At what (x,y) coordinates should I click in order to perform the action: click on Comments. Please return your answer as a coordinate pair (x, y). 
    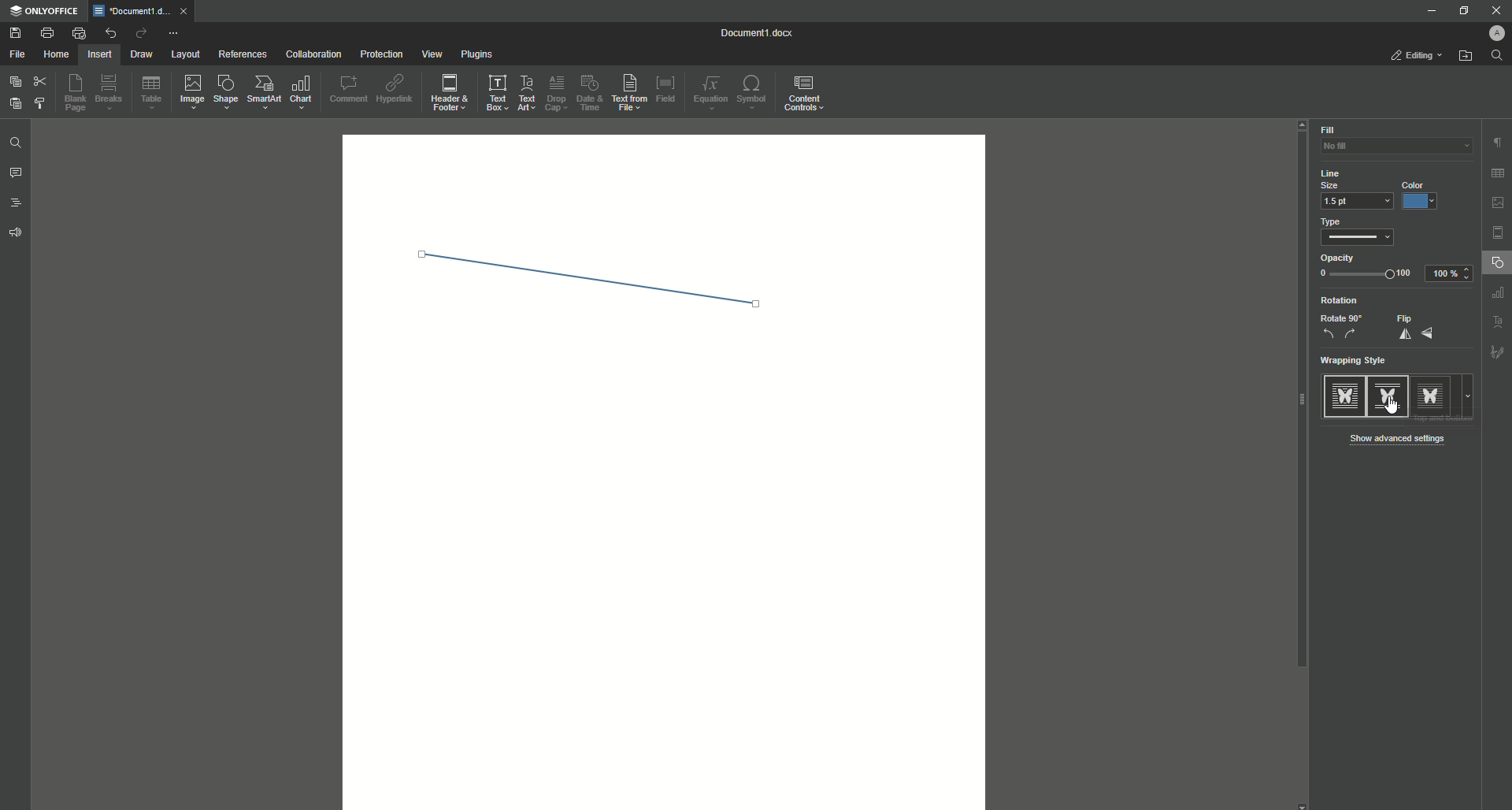
    Looking at the image, I should click on (16, 175).